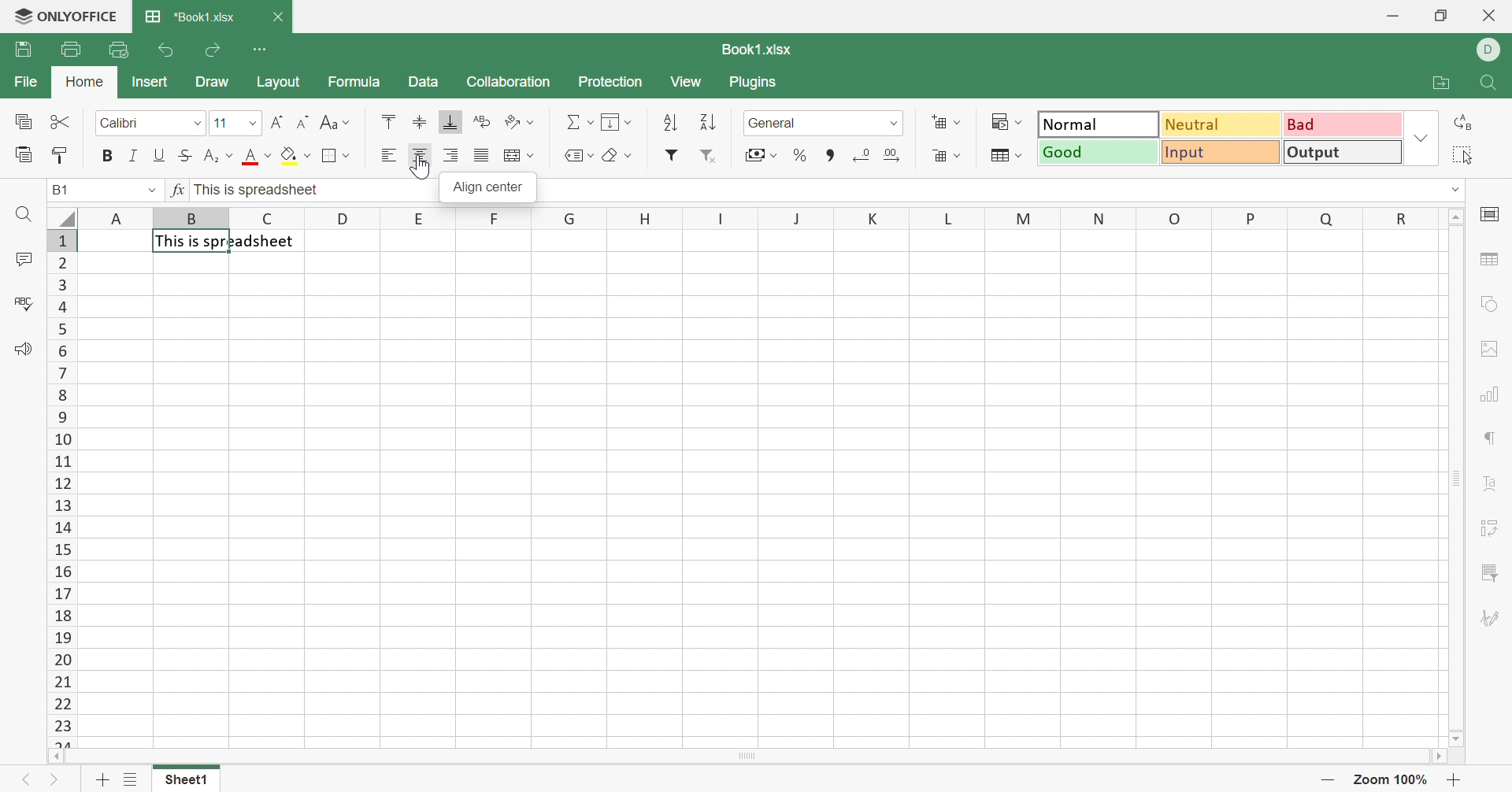 The image size is (1512, 792). Describe the element at coordinates (123, 124) in the screenshot. I see `Calibri` at that location.